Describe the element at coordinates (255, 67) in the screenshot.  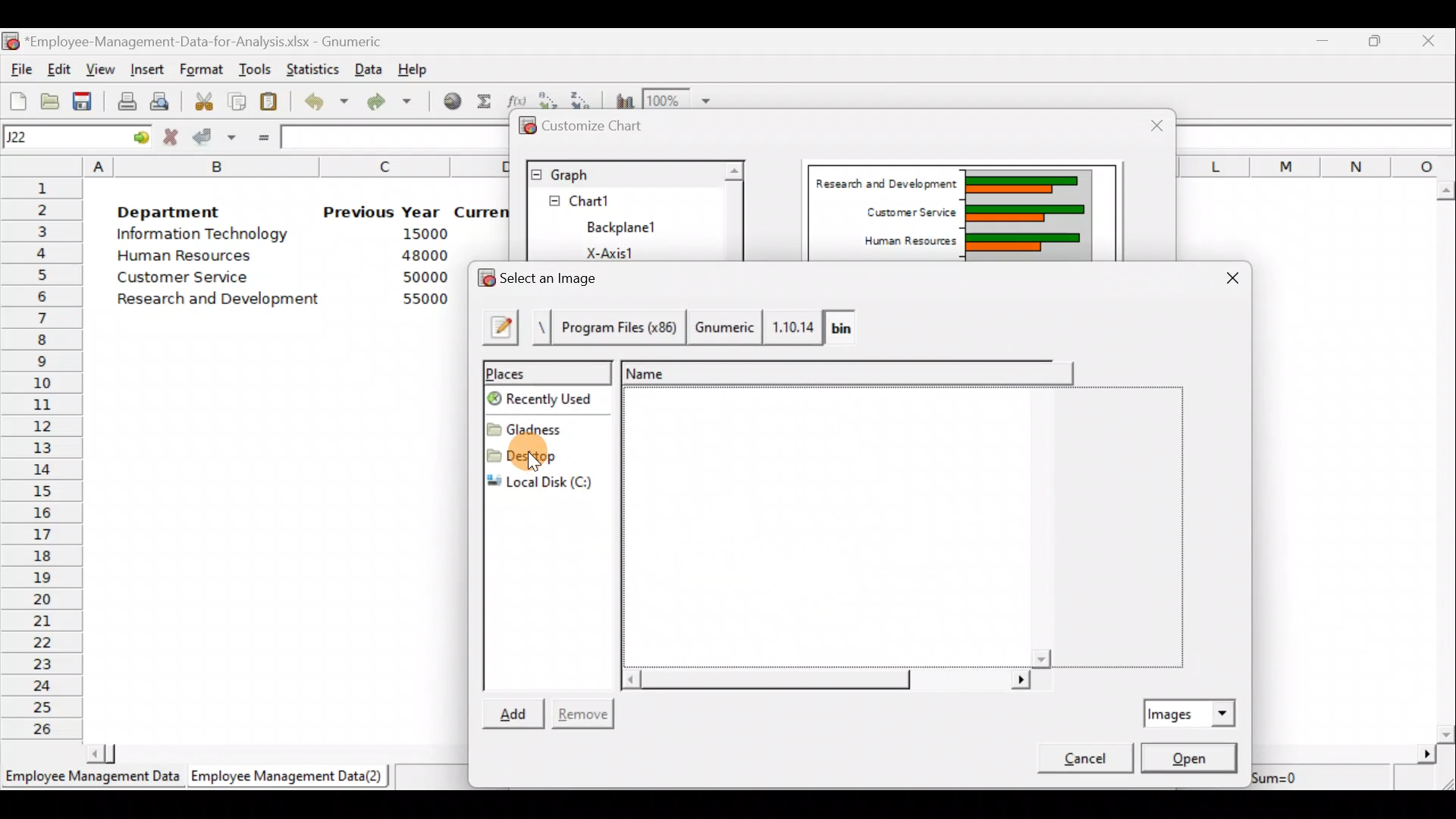
I see `Tools` at that location.